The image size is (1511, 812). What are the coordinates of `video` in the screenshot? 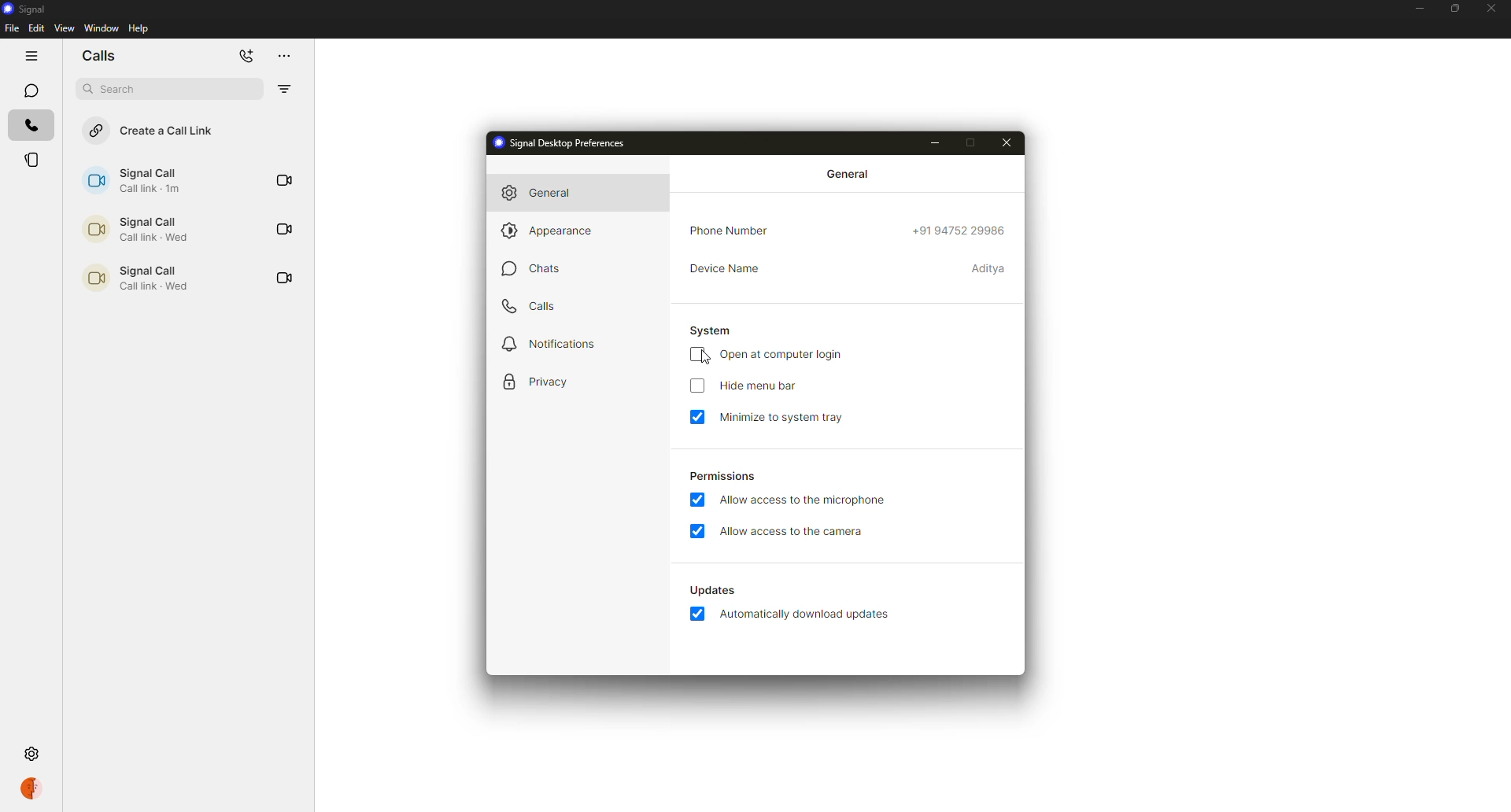 It's located at (283, 180).